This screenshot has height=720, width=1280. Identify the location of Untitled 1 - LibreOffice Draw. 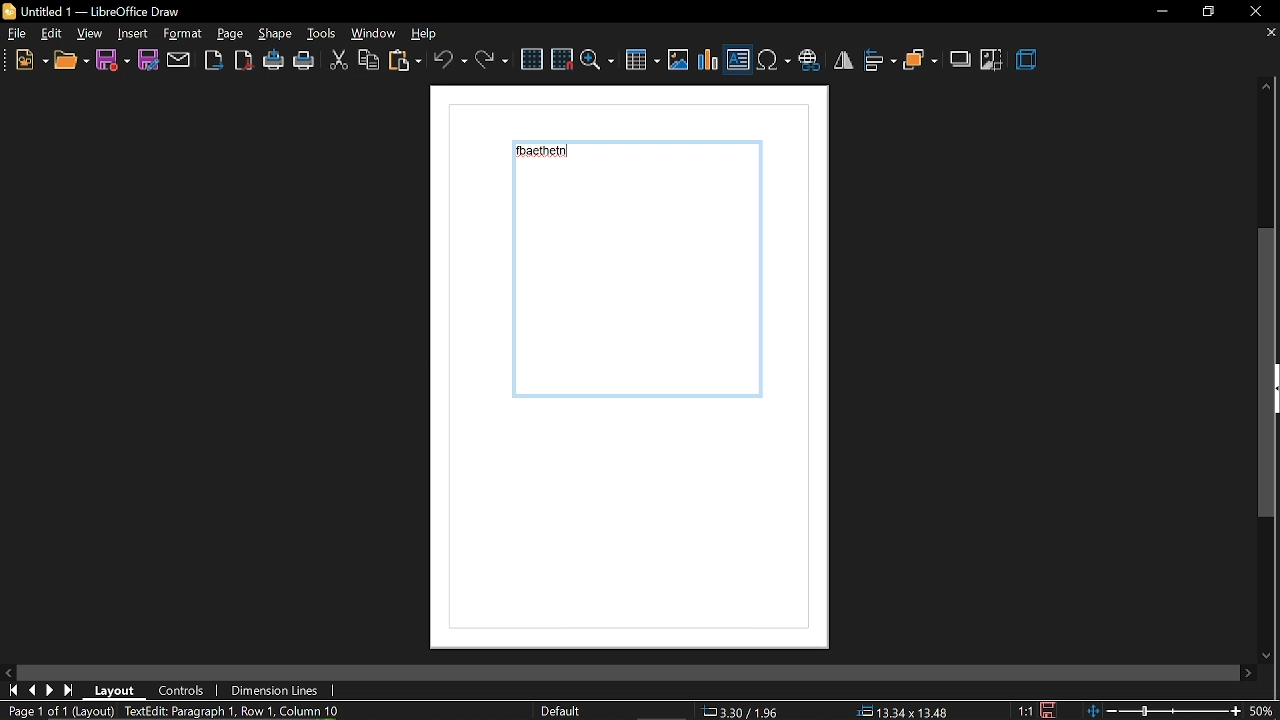
(92, 10).